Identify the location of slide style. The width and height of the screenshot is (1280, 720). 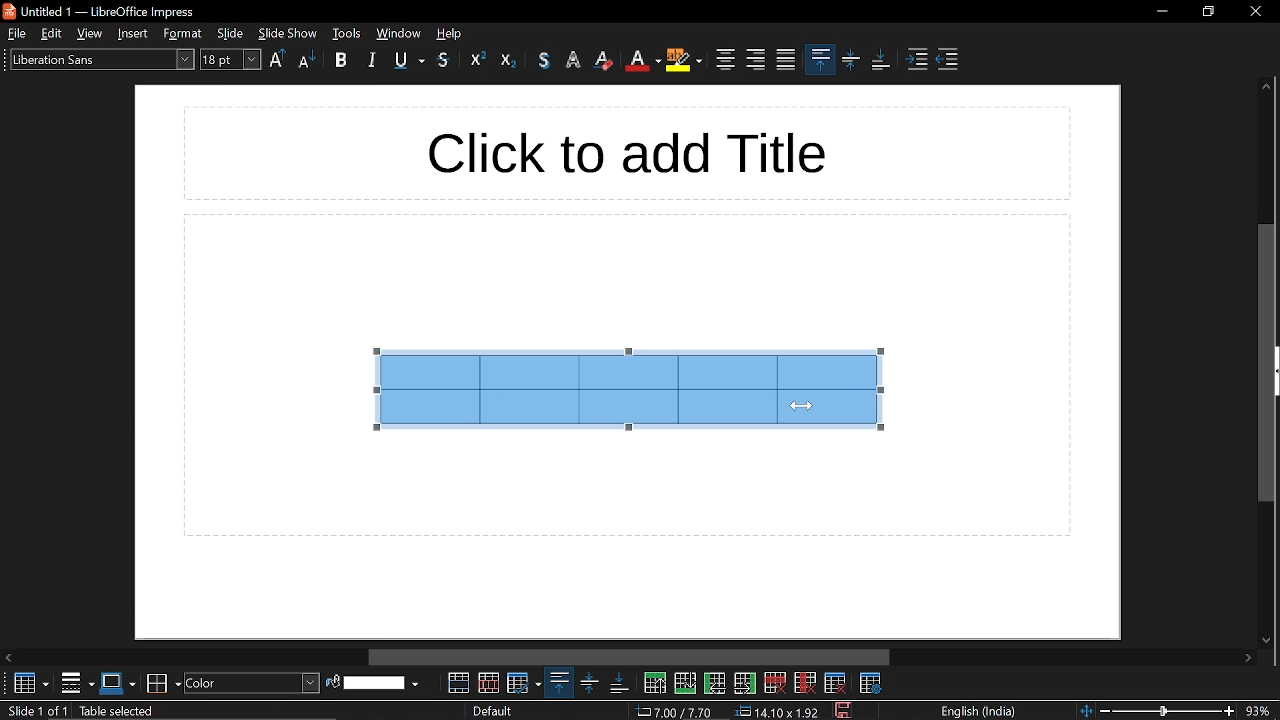
(494, 711).